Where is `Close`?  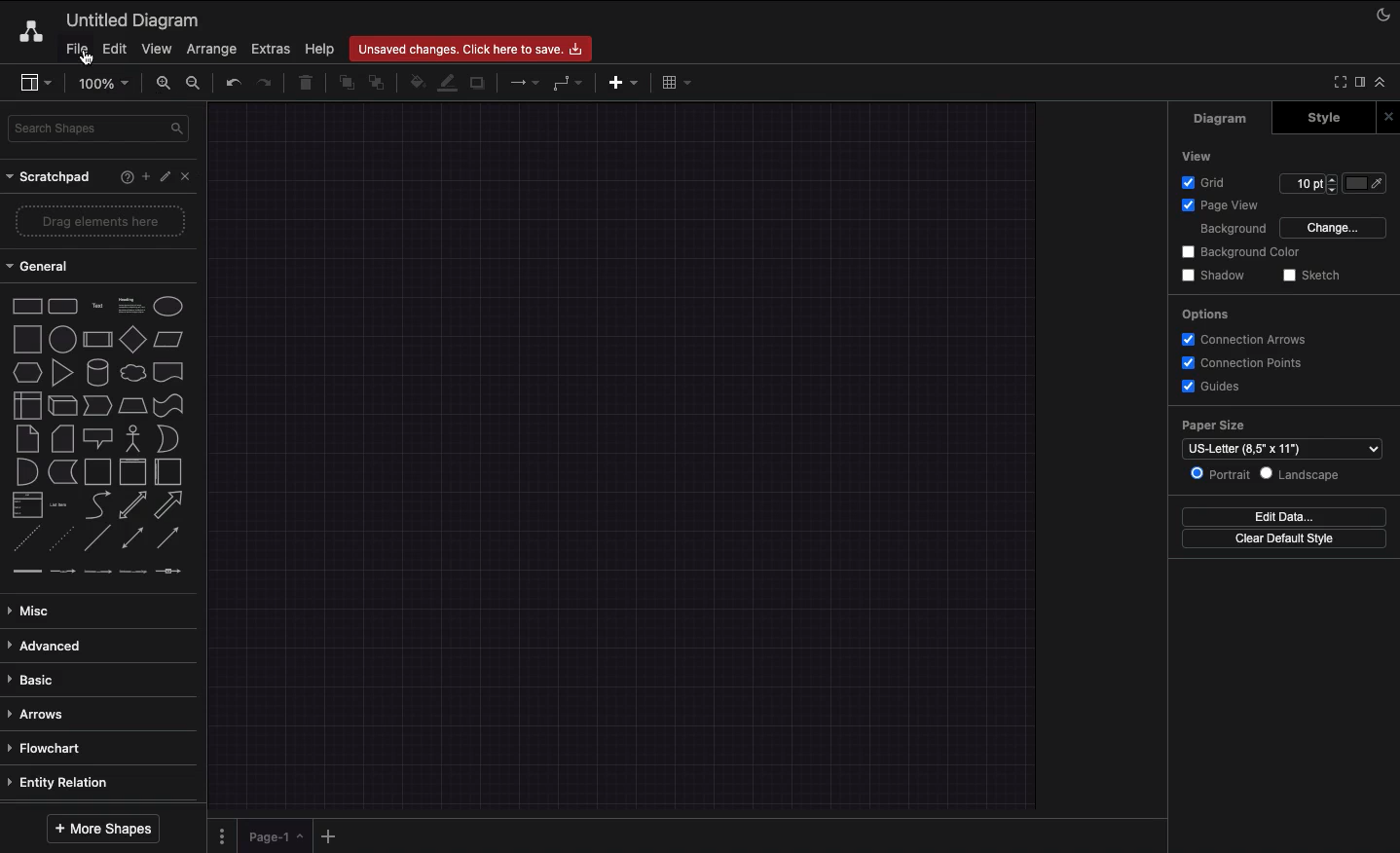
Close is located at coordinates (191, 175).